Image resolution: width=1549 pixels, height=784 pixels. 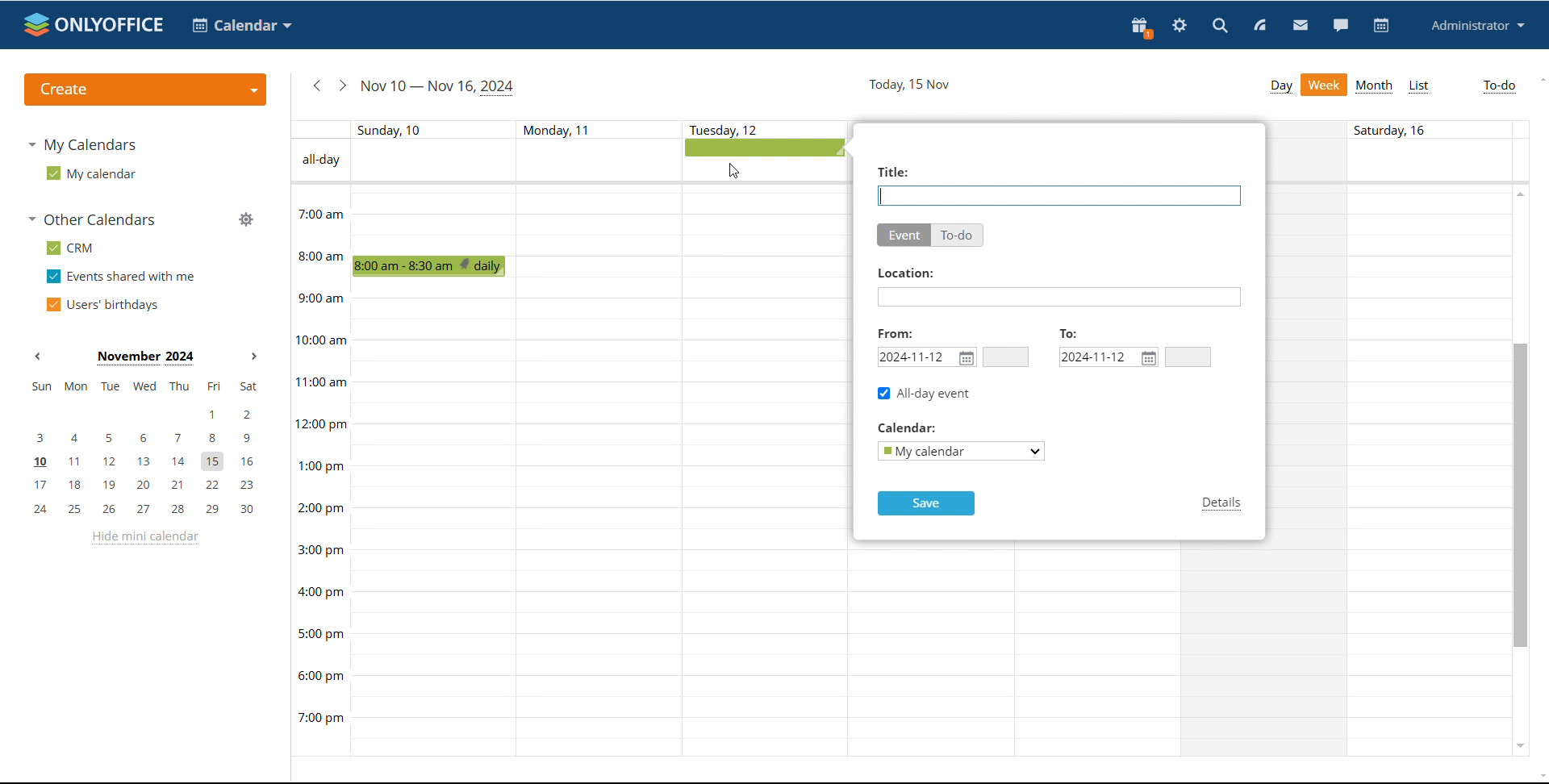 I want to click on start time, so click(x=1008, y=357).